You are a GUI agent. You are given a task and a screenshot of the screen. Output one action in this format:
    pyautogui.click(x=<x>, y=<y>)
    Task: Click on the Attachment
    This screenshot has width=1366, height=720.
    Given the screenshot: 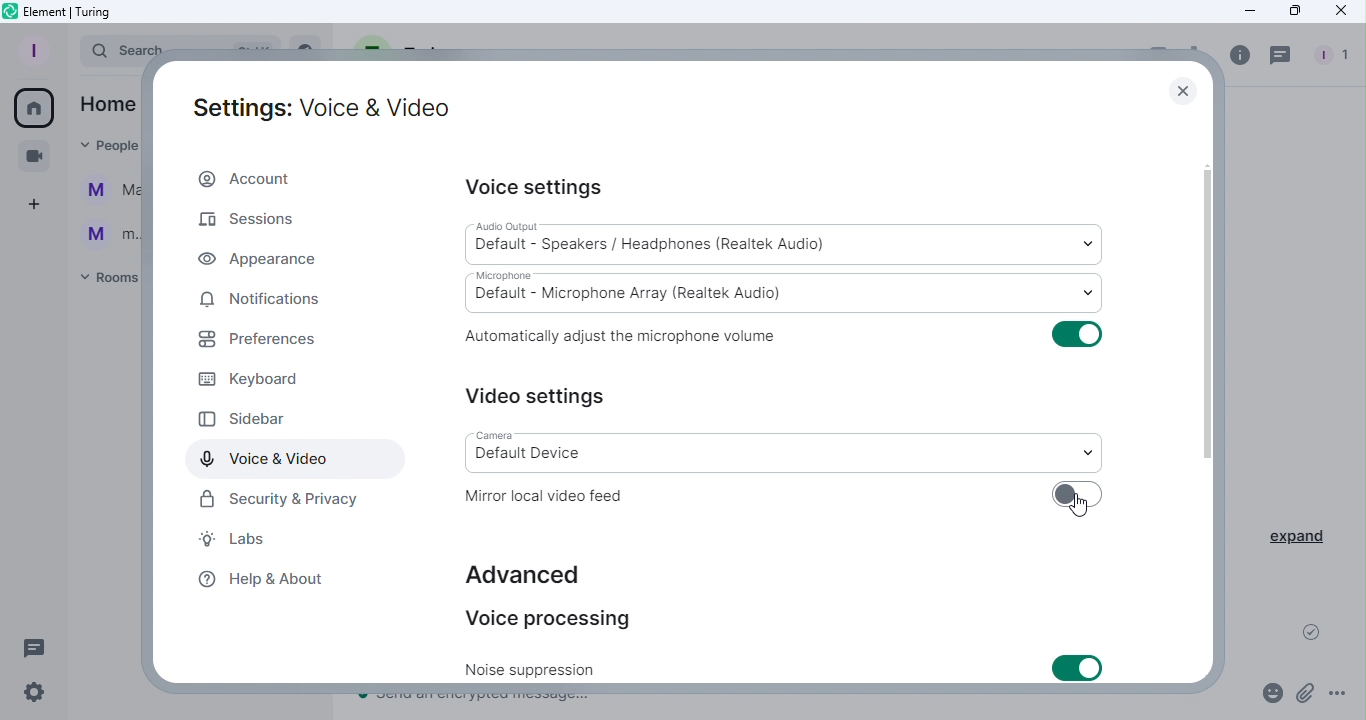 What is the action you would take?
    pyautogui.click(x=1306, y=697)
    